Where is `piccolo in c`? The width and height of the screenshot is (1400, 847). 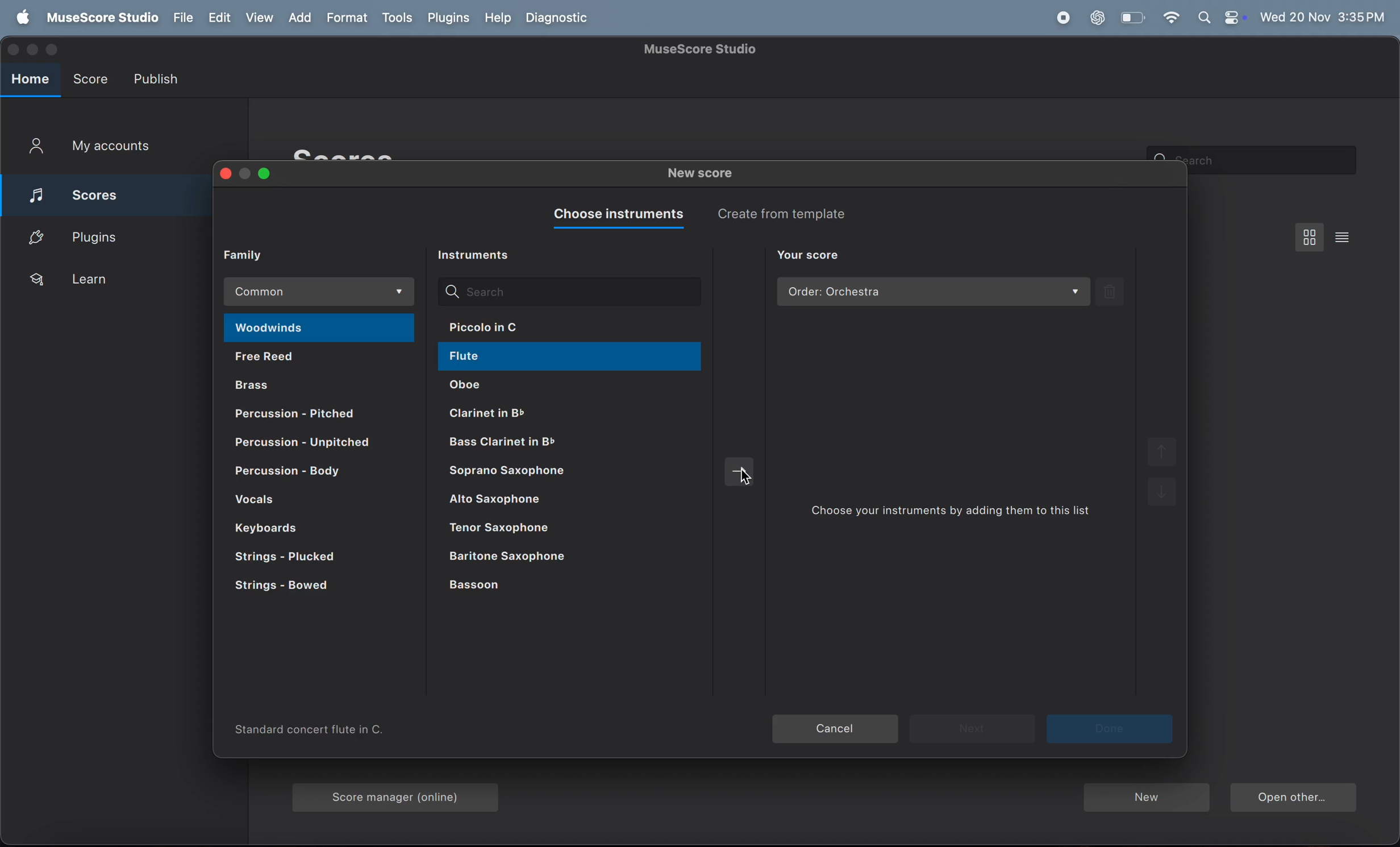
piccolo in c is located at coordinates (527, 326).